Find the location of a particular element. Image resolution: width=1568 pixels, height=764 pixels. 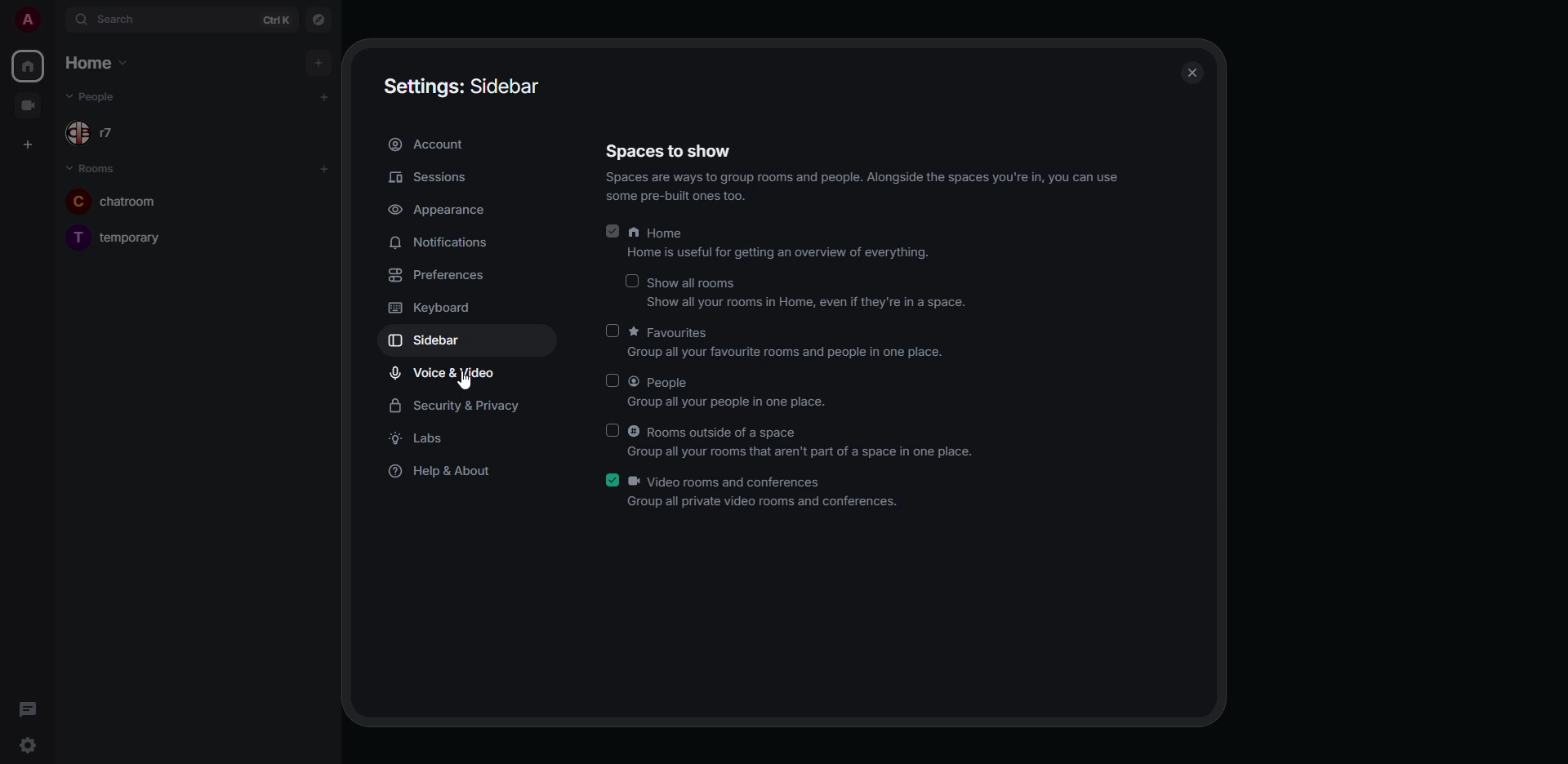

add is located at coordinates (319, 62).